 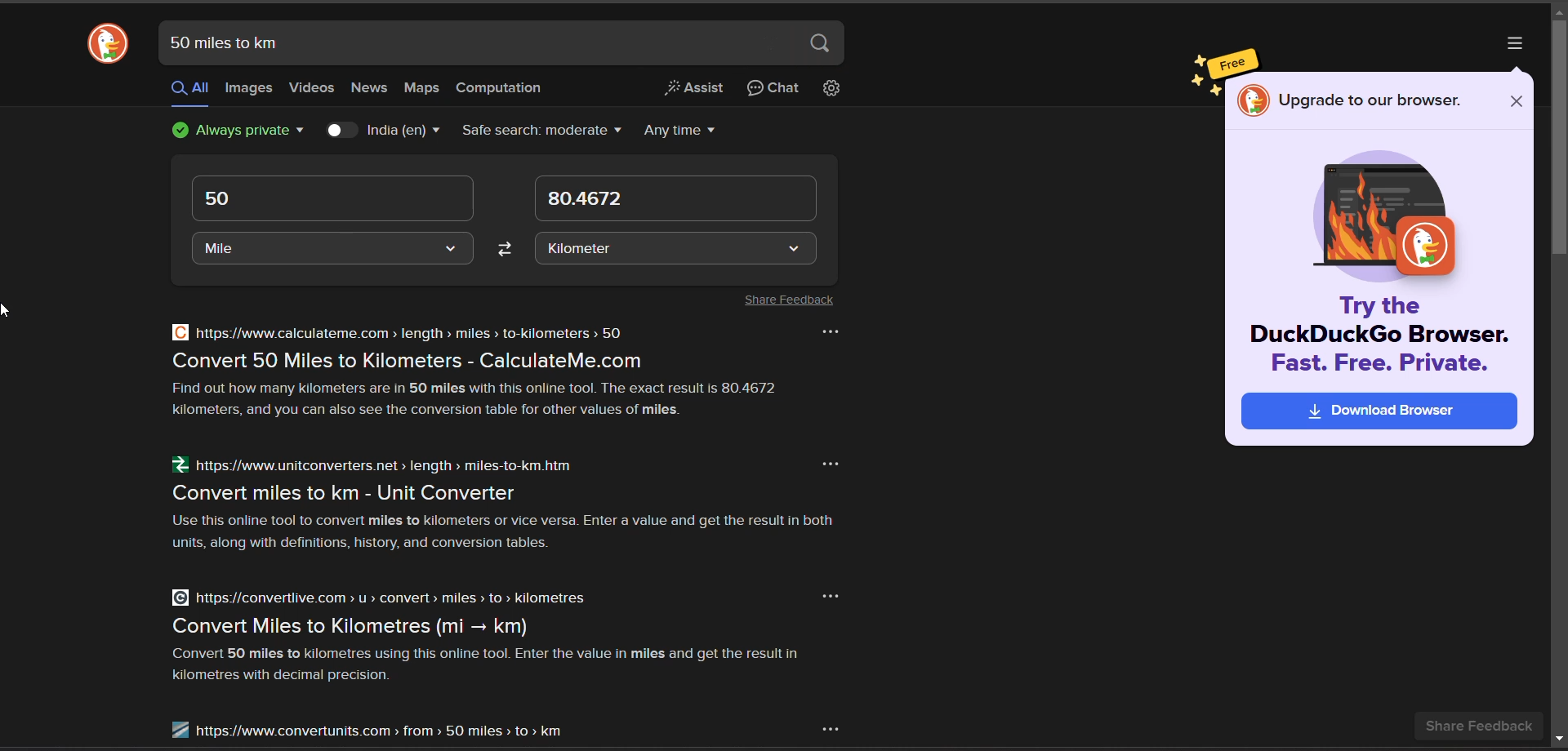 I want to click on more option, so click(x=828, y=596).